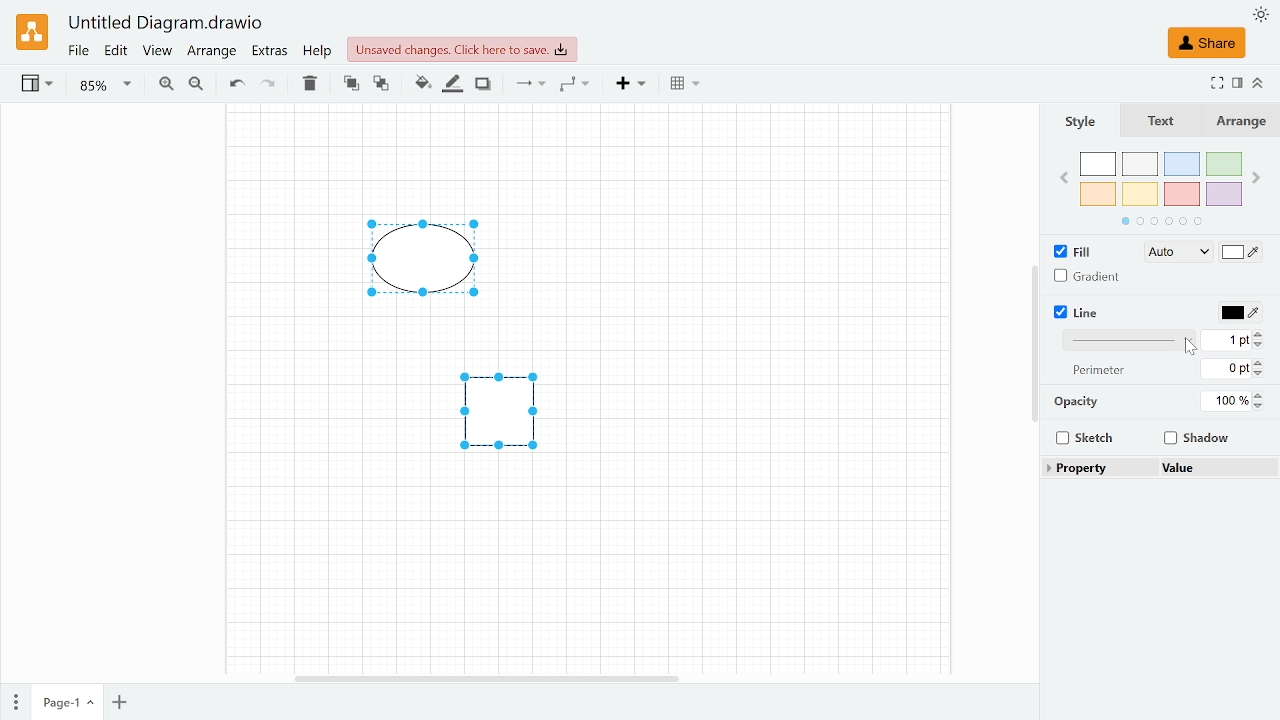  What do you see at coordinates (1156, 120) in the screenshot?
I see `text` at bounding box center [1156, 120].